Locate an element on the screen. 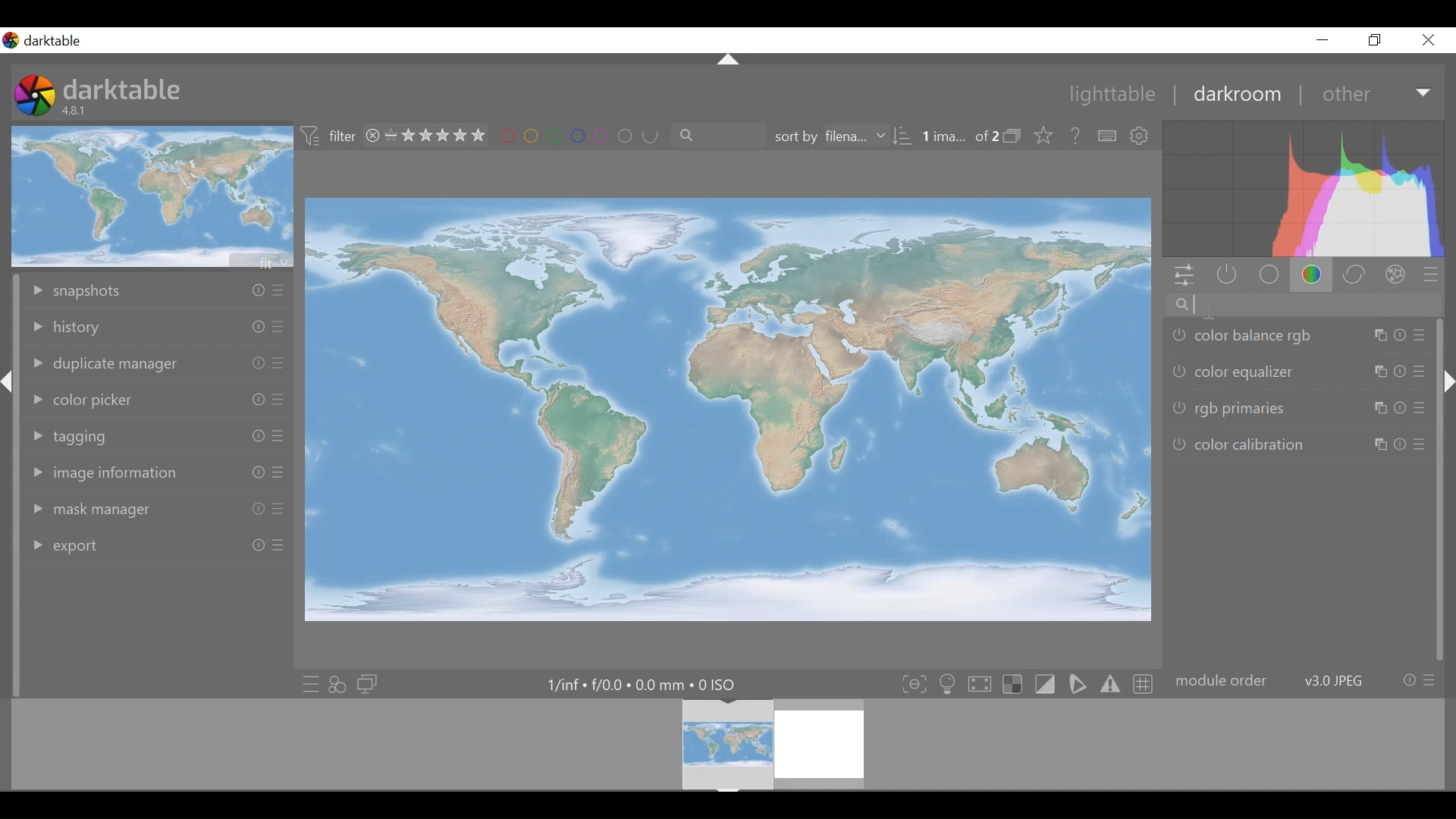 Image resolution: width=1456 pixels, height=819 pixels. Other is located at coordinates (1376, 92).